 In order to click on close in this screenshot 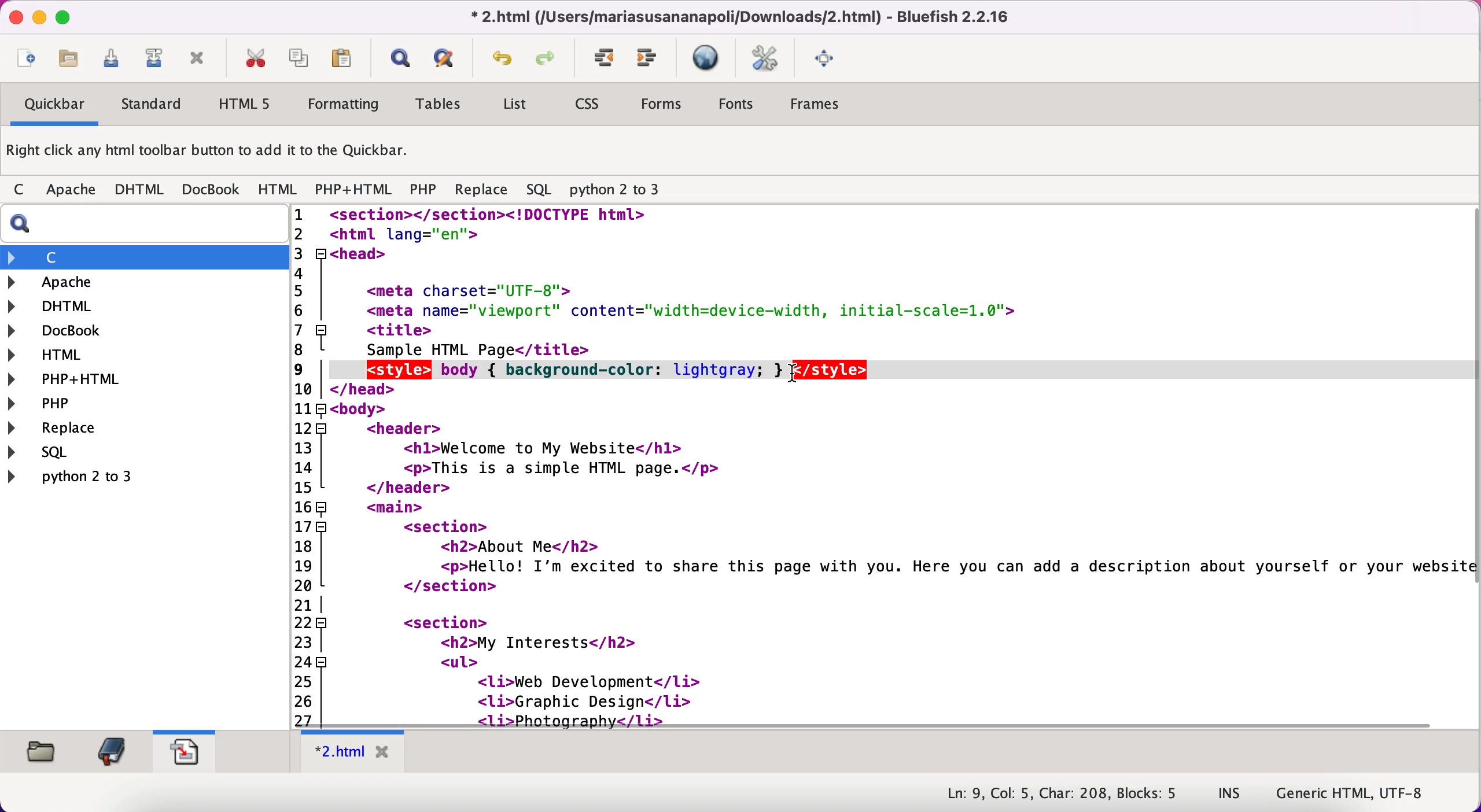, I will do `click(13, 17)`.